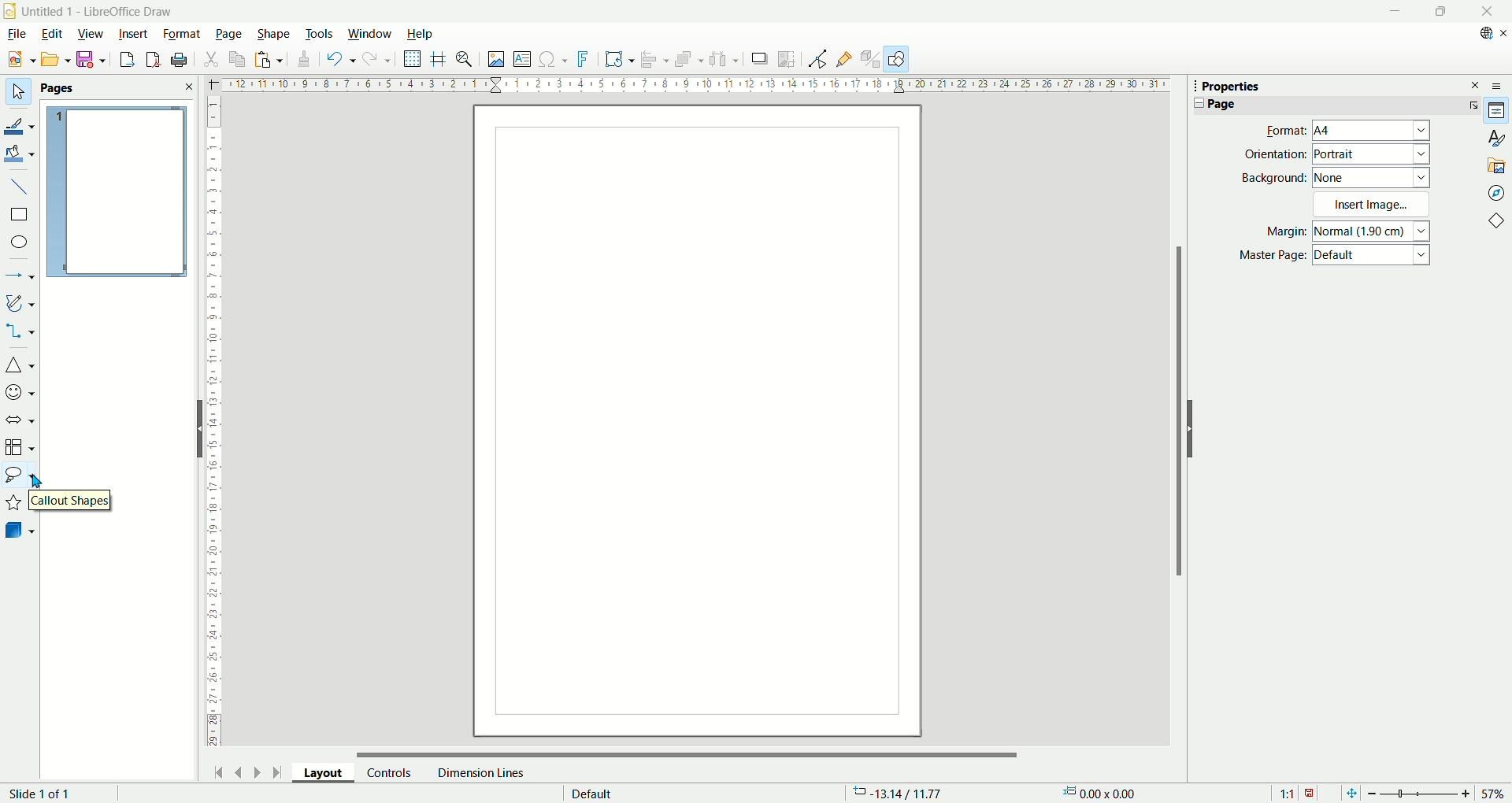 The width and height of the screenshot is (1512, 803). What do you see at coordinates (495, 61) in the screenshot?
I see `insert image` at bounding box center [495, 61].